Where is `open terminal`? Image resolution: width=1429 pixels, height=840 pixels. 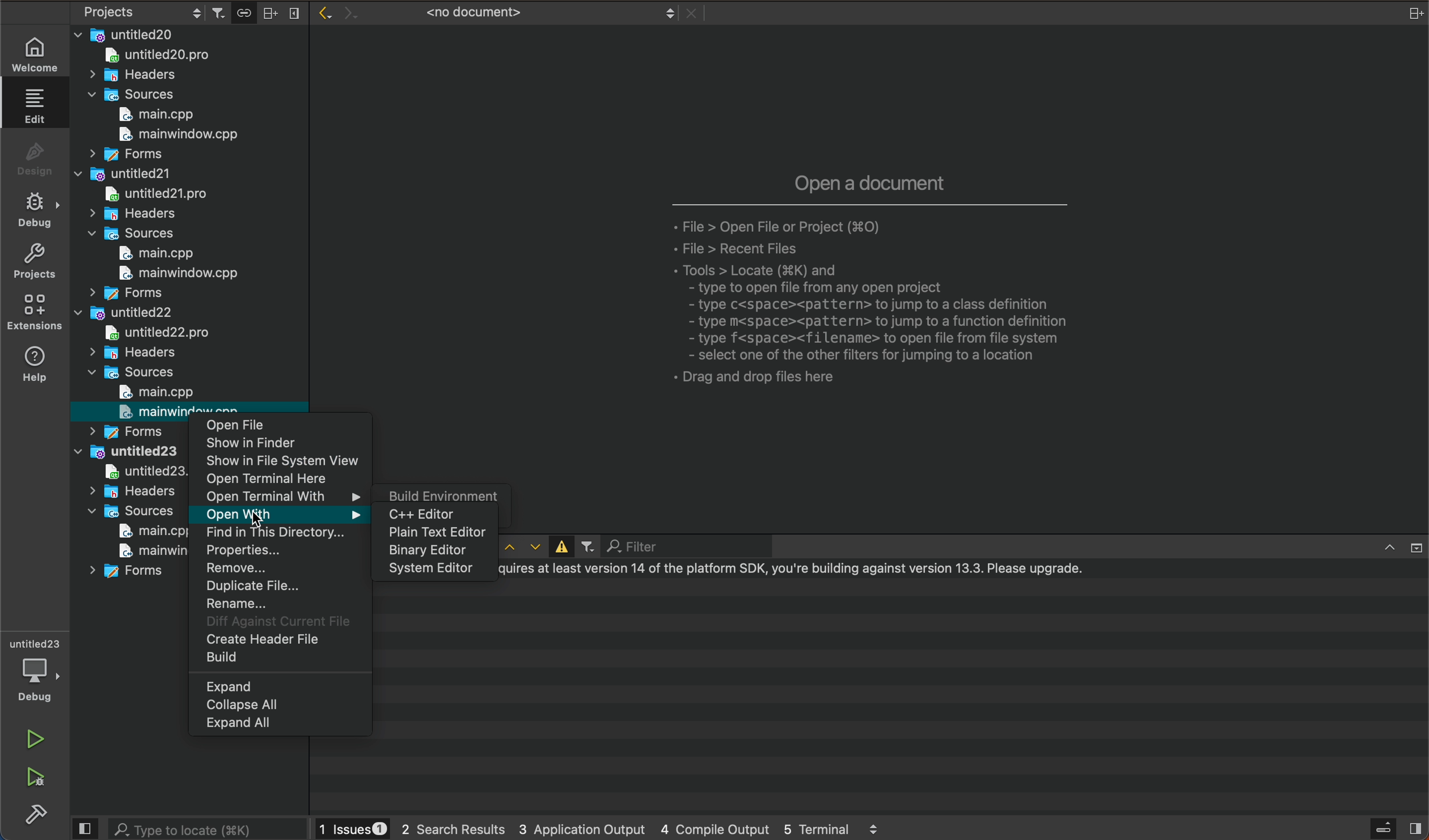 open terminal is located at coordinates (284, 480).